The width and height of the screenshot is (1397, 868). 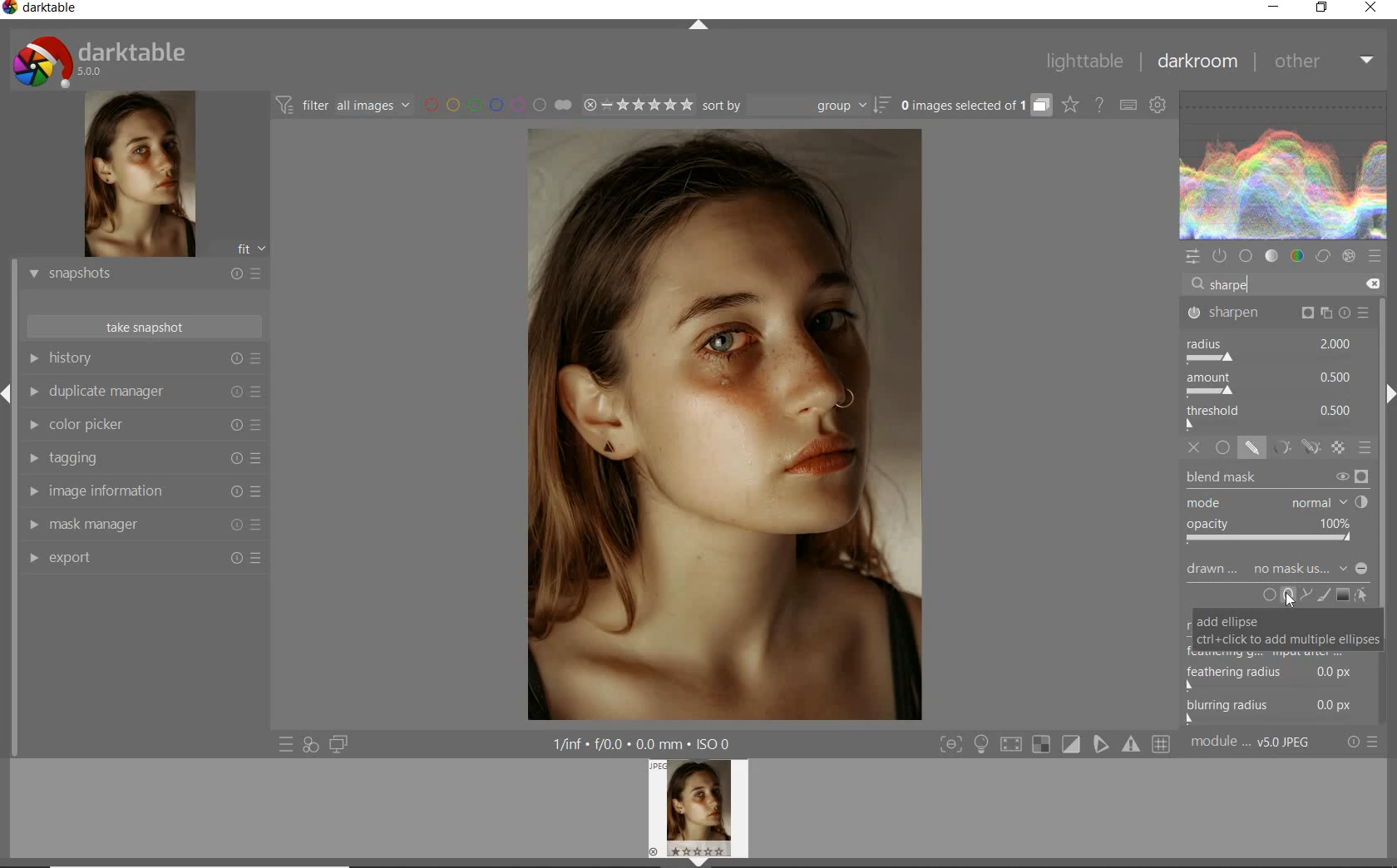 I want to click on DELETE, so click(x=1370, y=284).